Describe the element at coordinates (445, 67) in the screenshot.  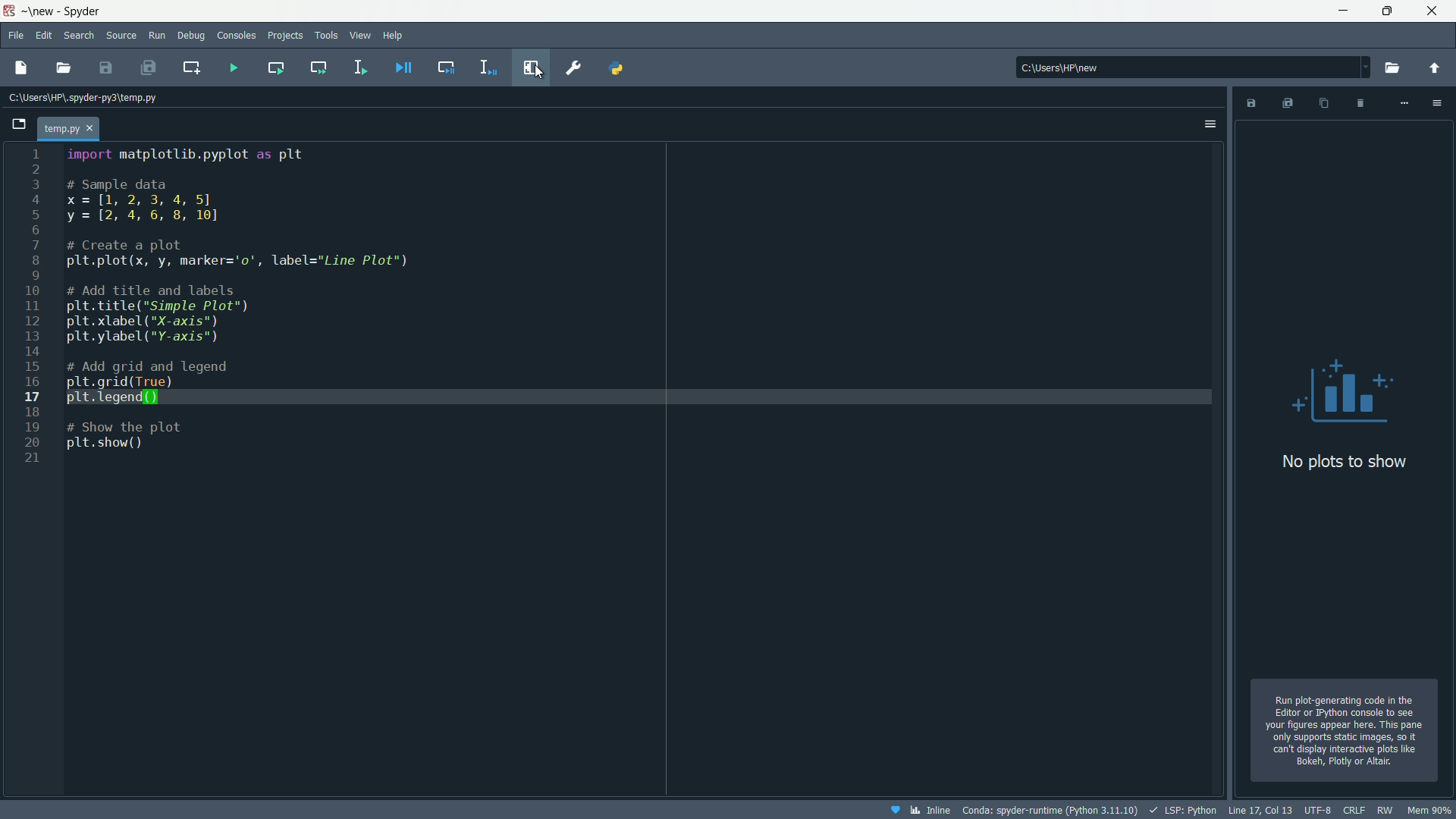
I see `debug cell` at that location.